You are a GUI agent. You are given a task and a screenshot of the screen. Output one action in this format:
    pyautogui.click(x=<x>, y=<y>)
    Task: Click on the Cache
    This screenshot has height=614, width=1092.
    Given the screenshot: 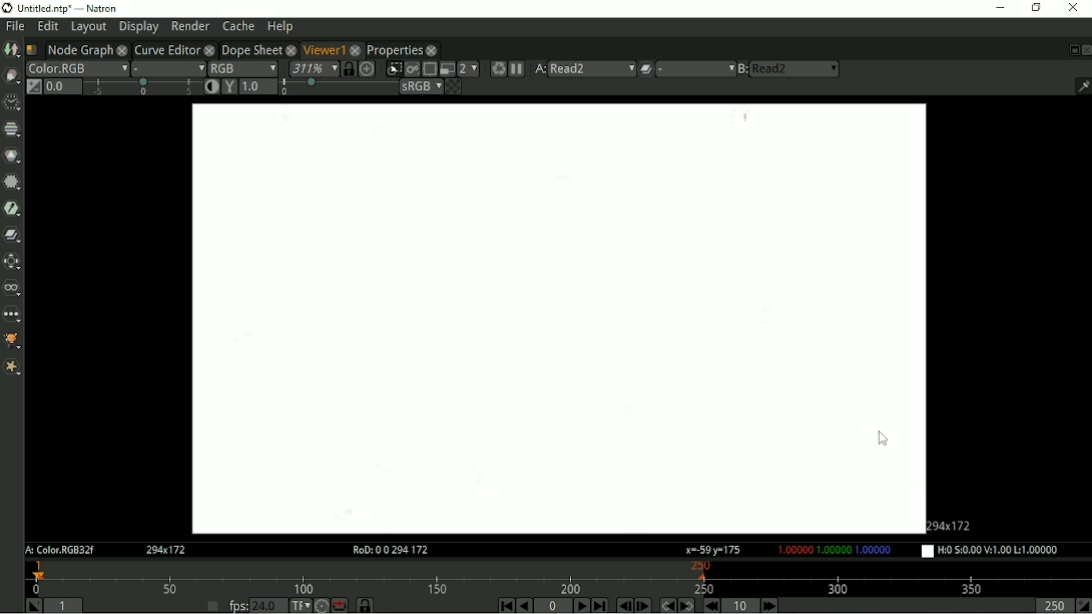 What is the action you would take?
    pyautogui.click(x=239, y=25)
    